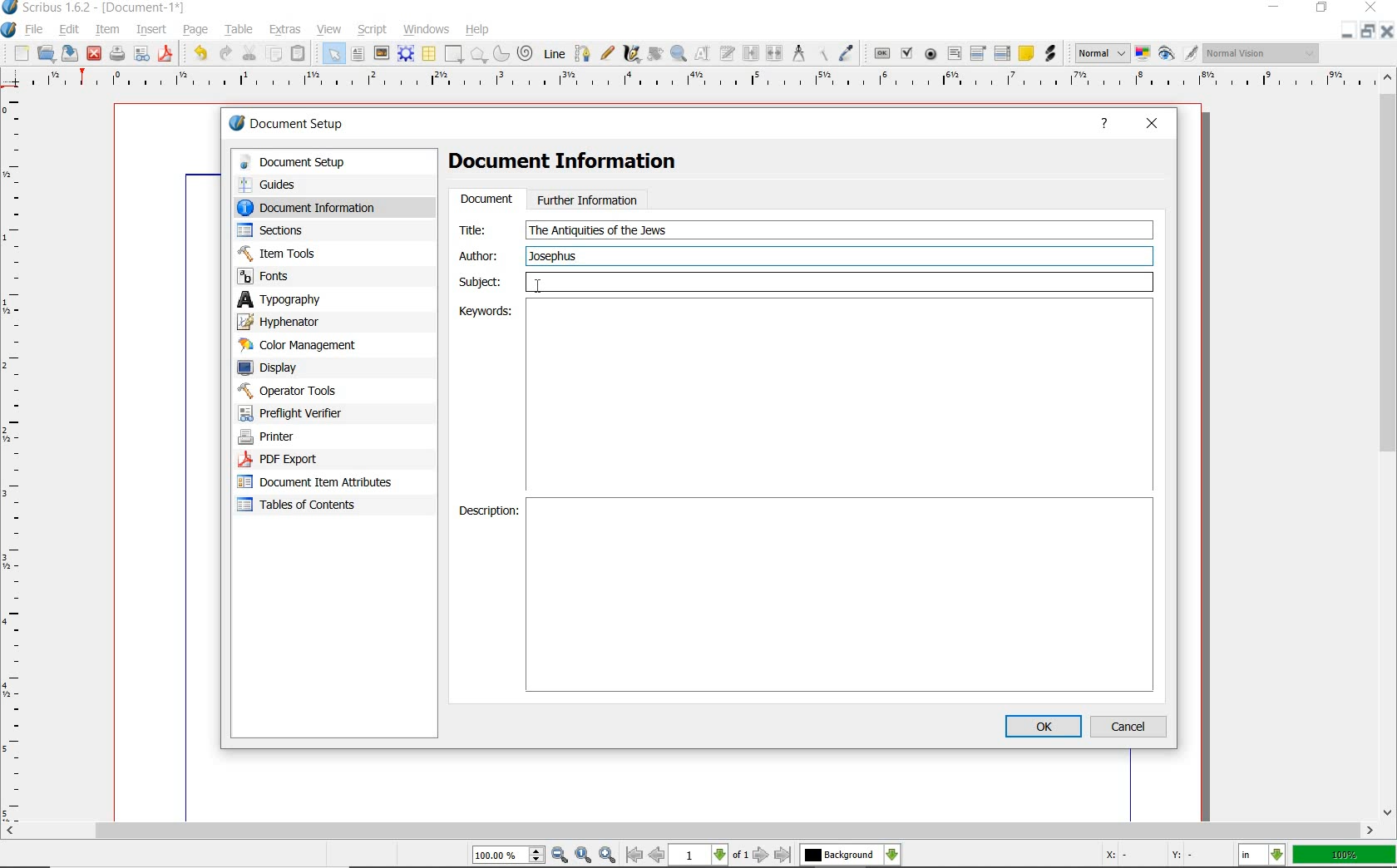 Image resolution: width=1397 pixels, height=868 pixels. What do you see at coordinates (481, 255) in the screenshot?
I see `author:` at bounding box center [481, 255].